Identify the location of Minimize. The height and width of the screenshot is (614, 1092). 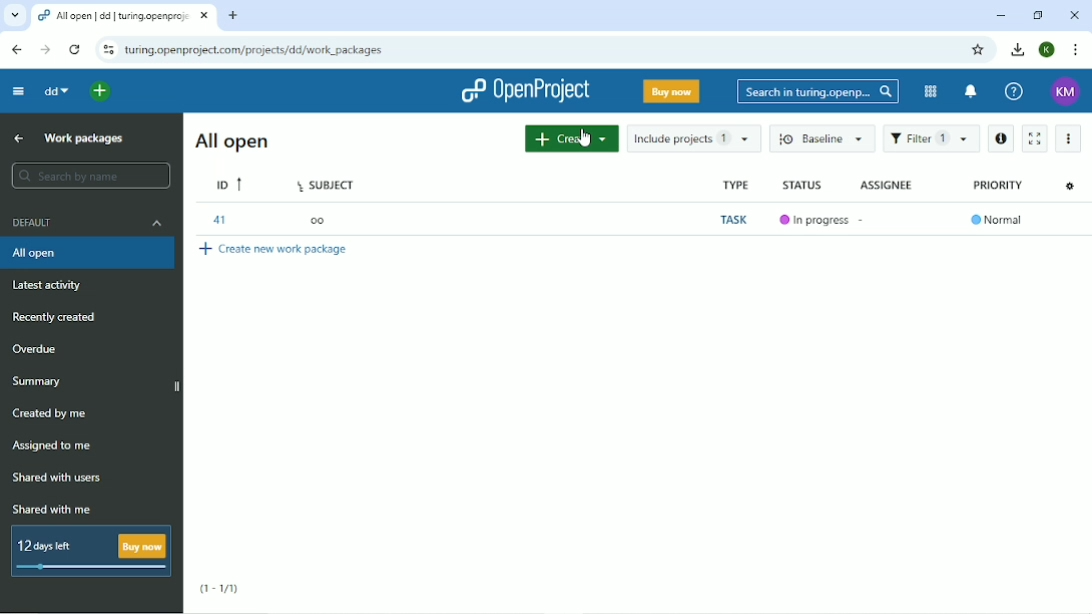
(1000, 17).